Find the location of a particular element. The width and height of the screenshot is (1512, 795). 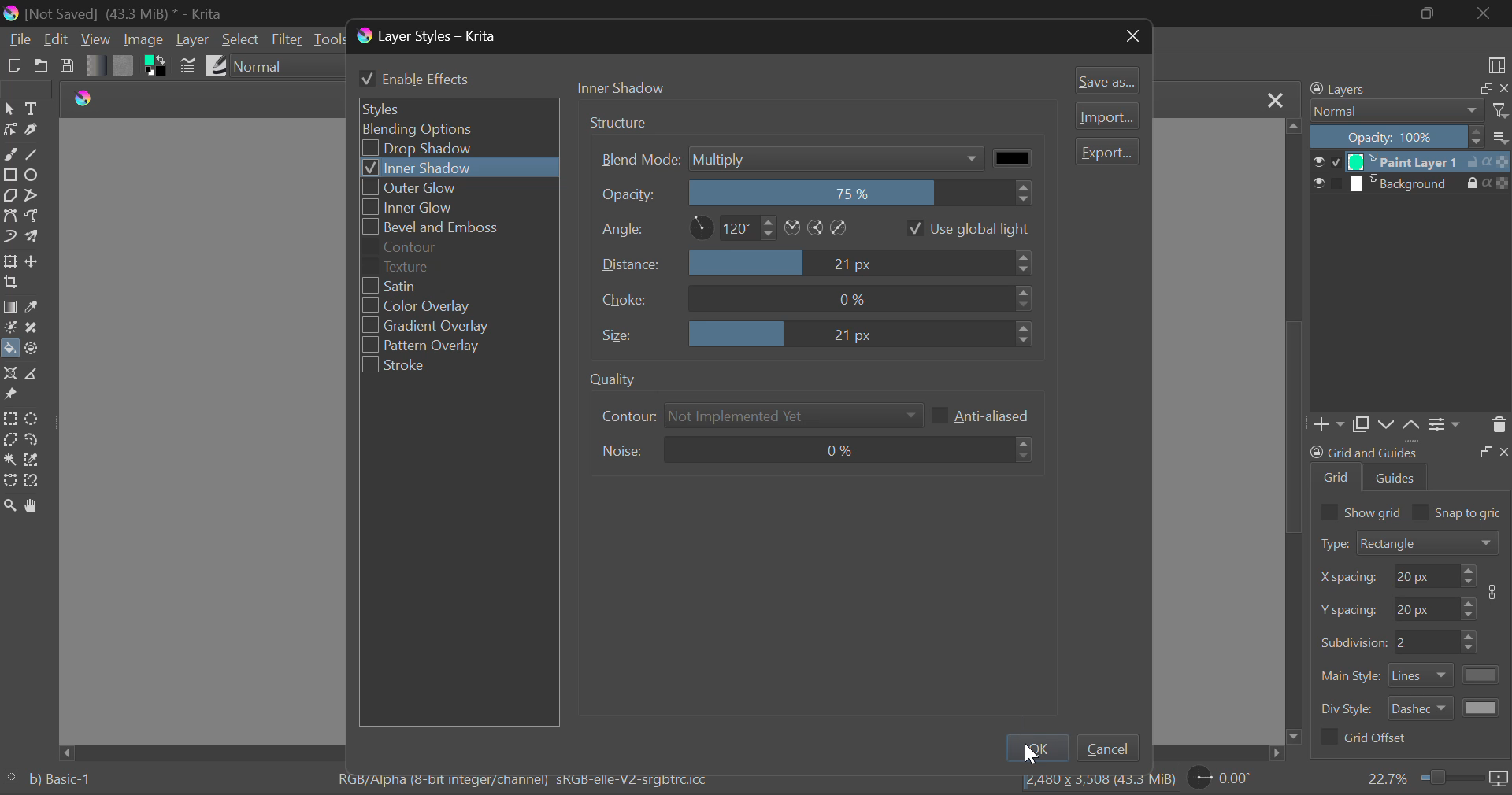

Colors in Use is located at coordinates (157, 68).